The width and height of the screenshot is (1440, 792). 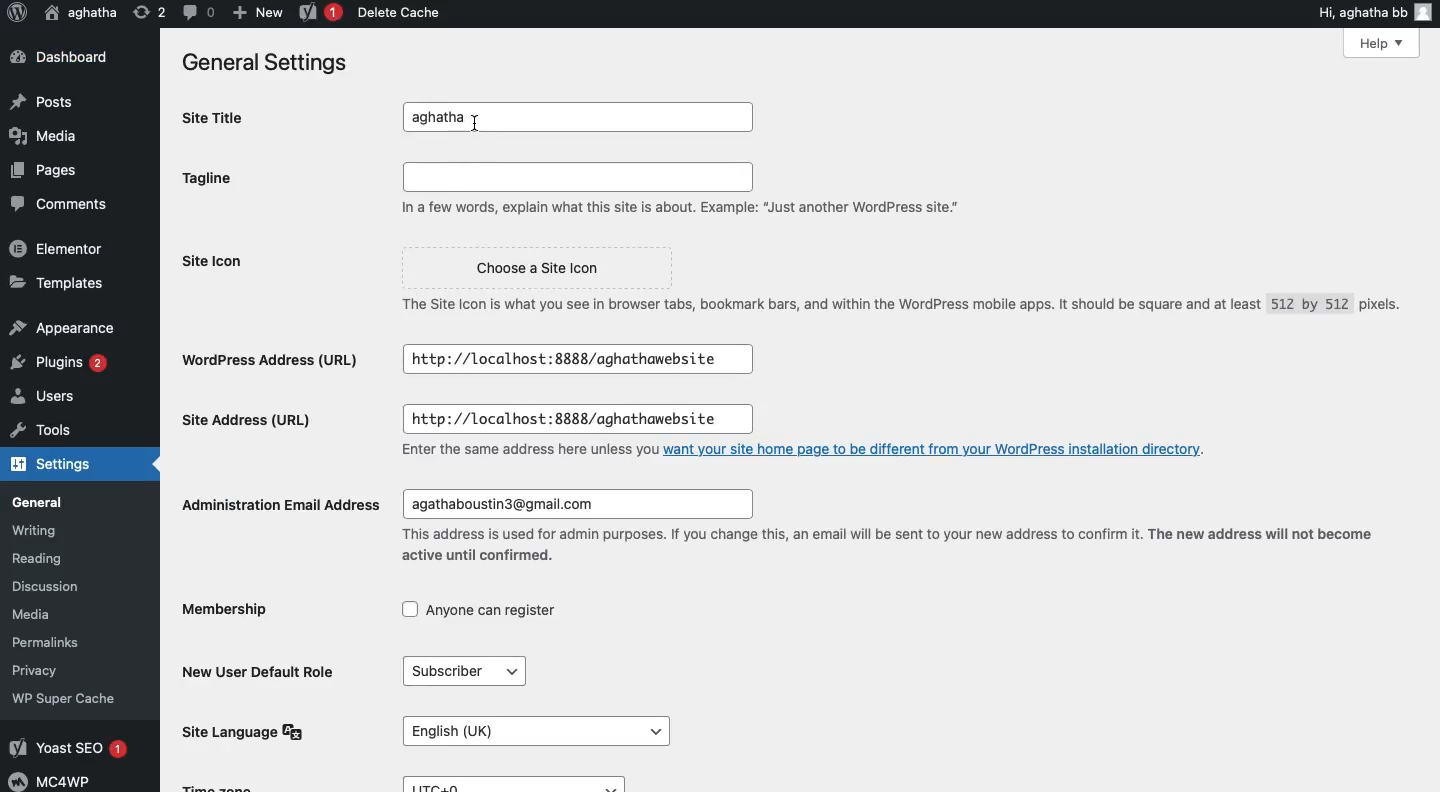 What do you see at coordinates (263, 670) in the screenshot?
I see `New user default role` at bounding box center [263, 670].